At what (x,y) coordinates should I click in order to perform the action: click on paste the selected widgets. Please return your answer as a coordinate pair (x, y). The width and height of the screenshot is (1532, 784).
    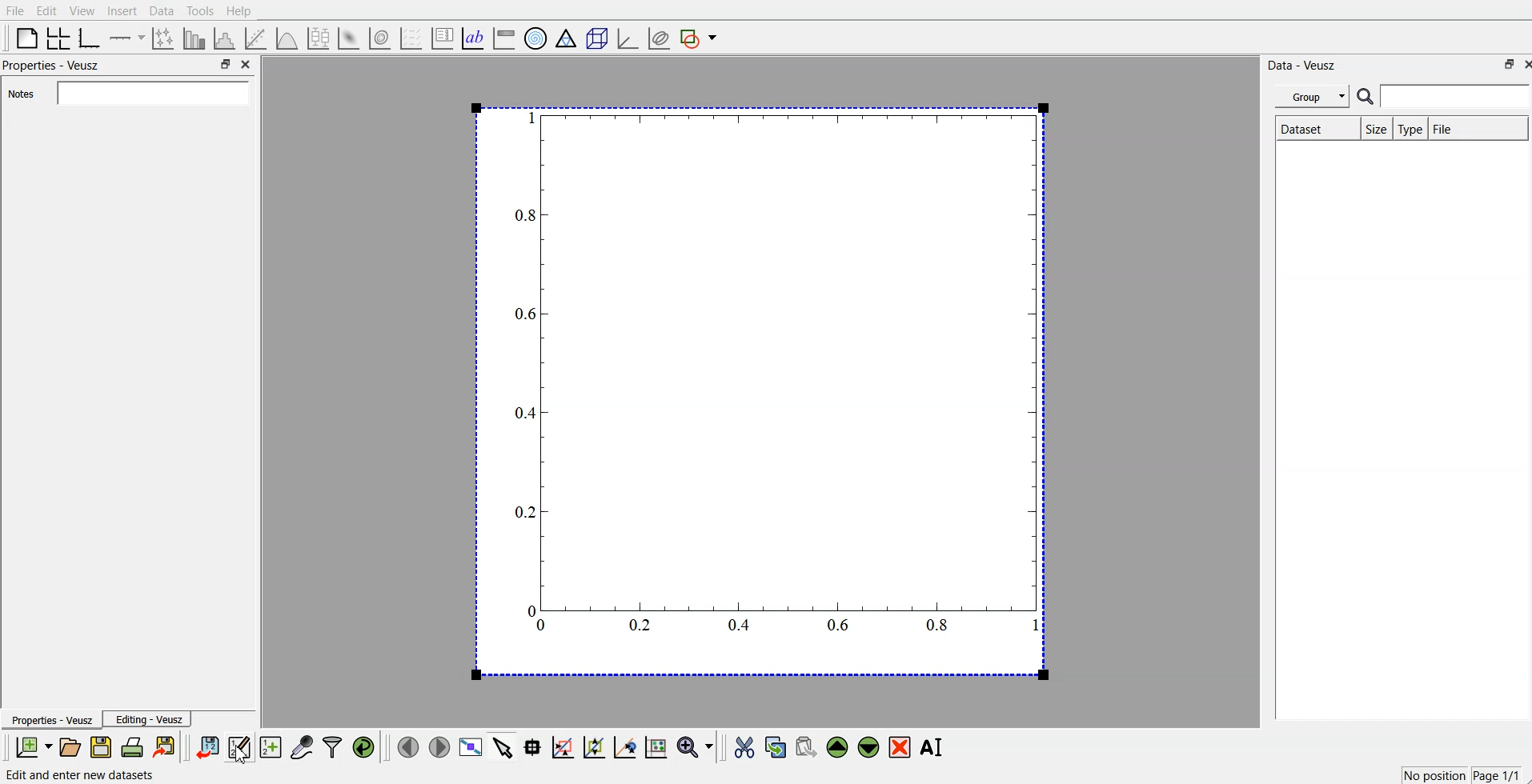
    Looking at the image, I should click on (806, 748).